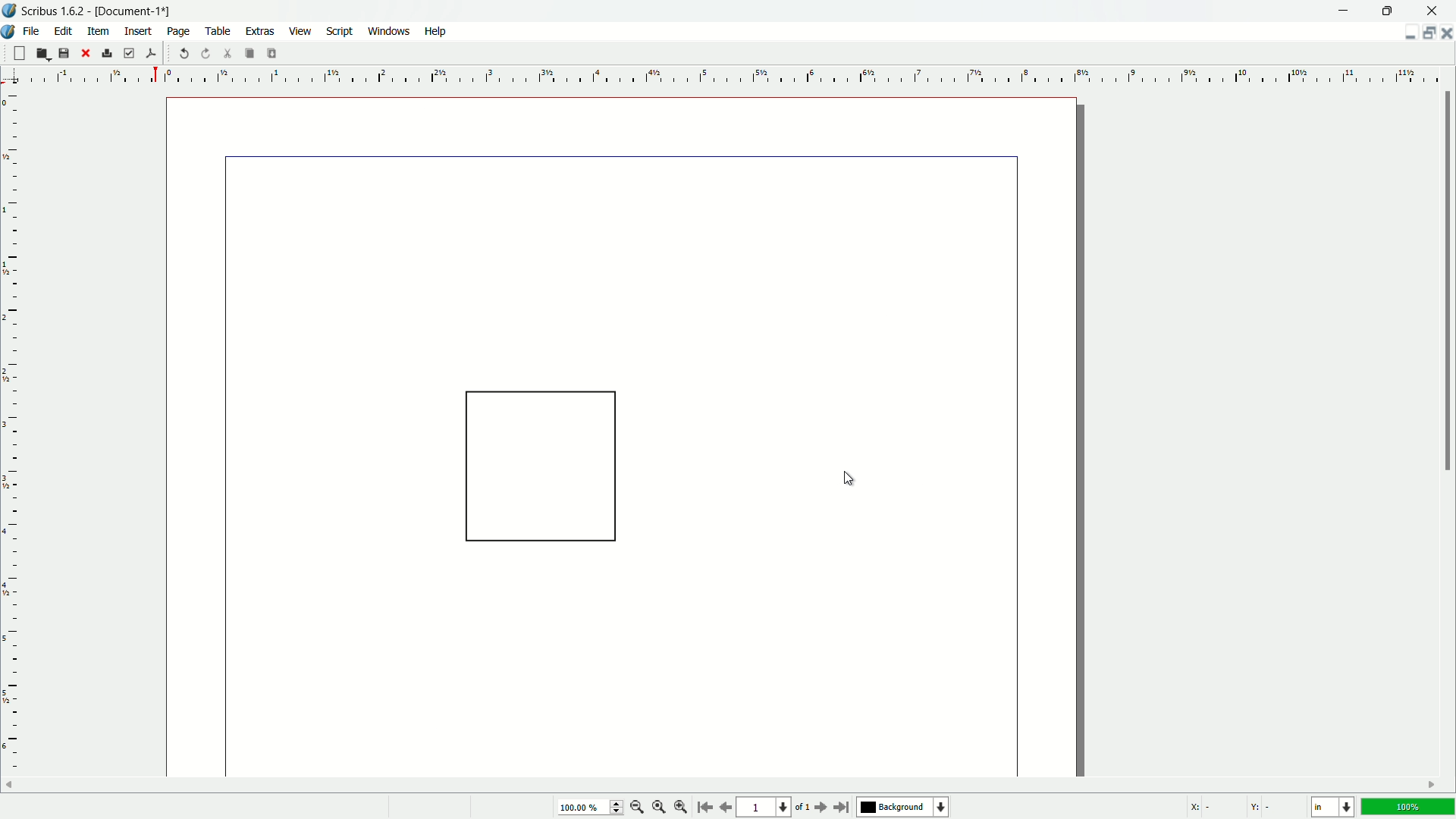 The width and height of the screenshot is (1456, 819). I want to click on cut, so click(225, 53).